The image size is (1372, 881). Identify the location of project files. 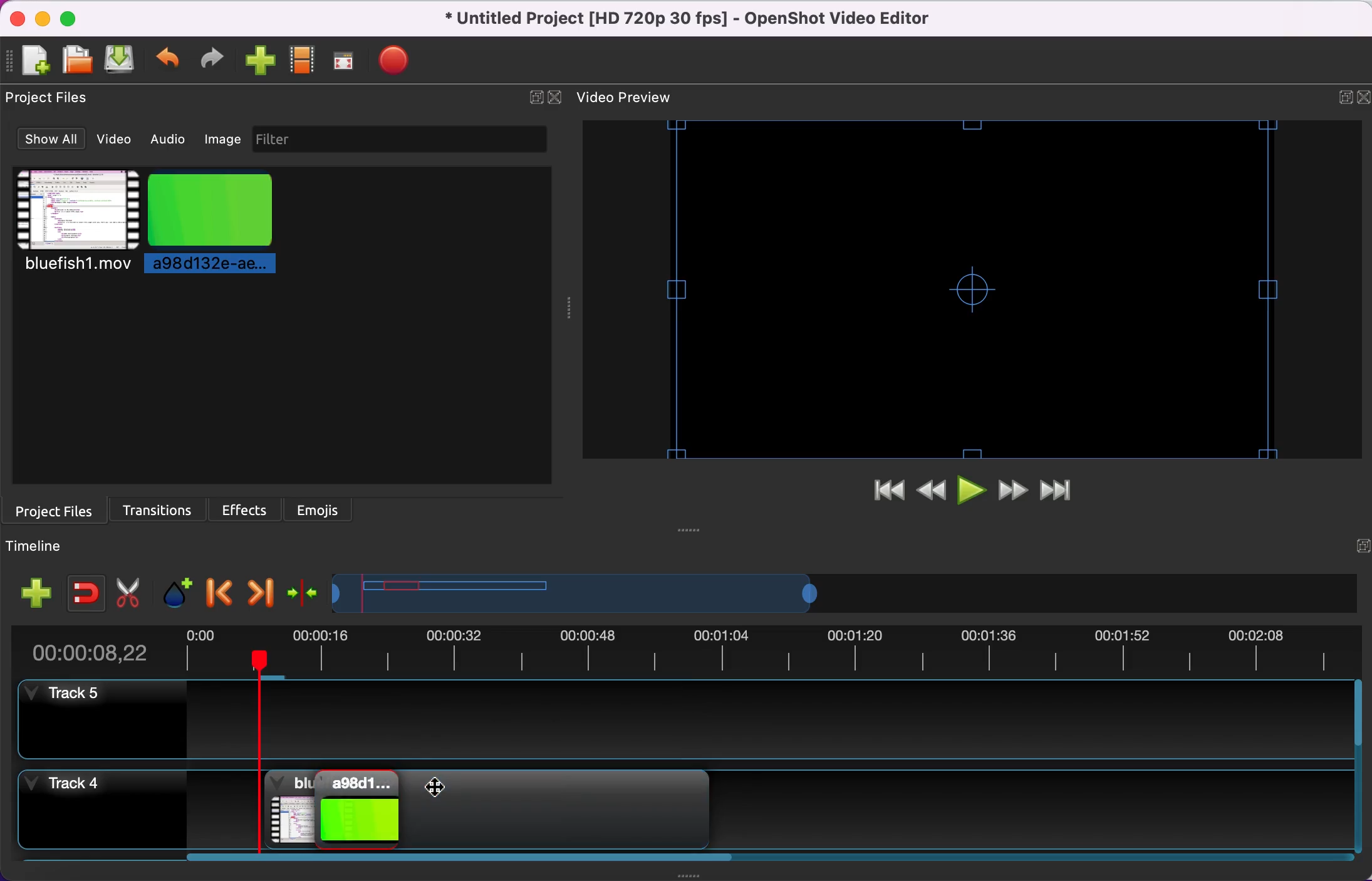
(56, 100).